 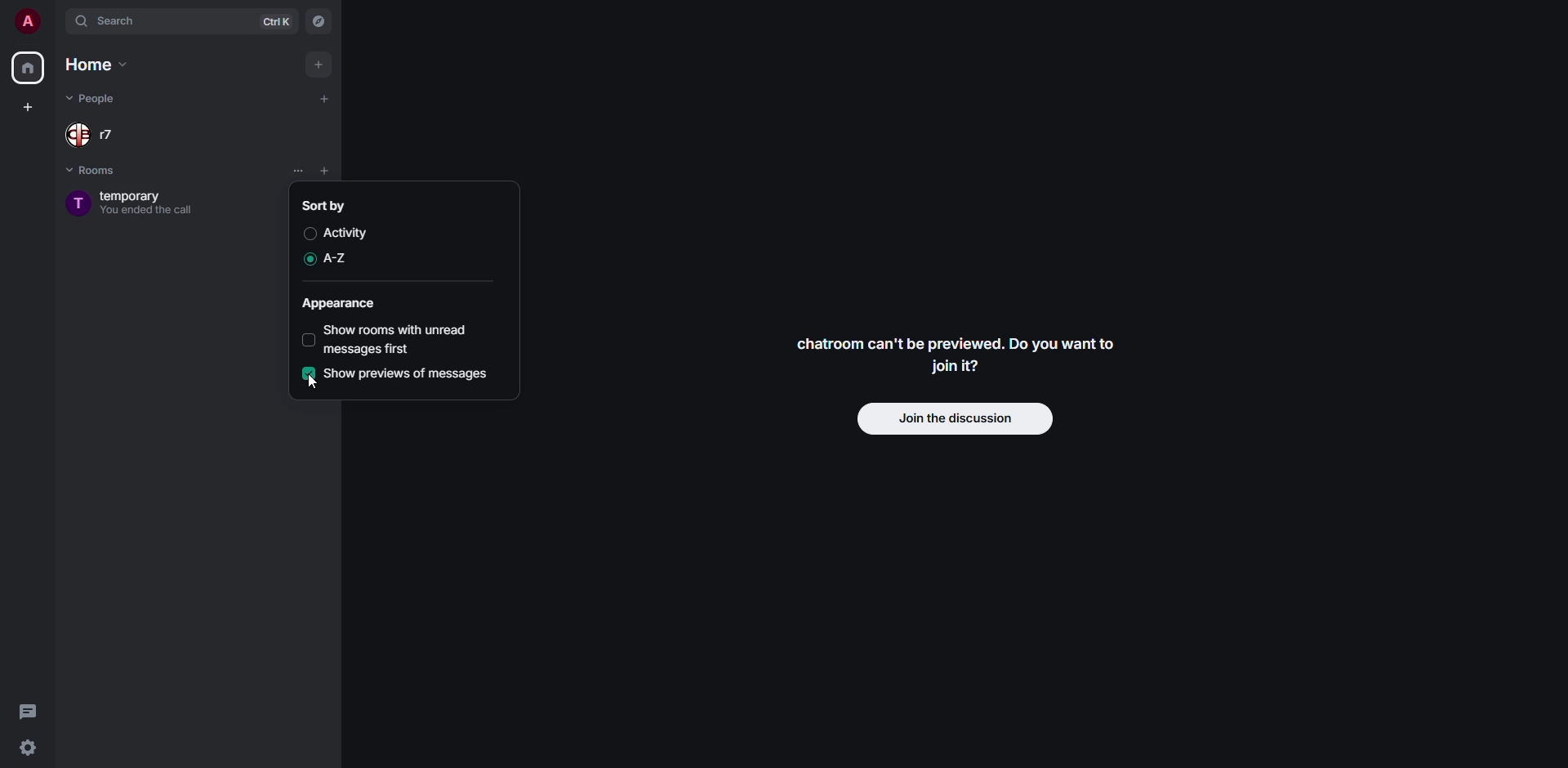 What do you see at coordinates (408, 375) in the screenshot?
I see `show previews of messages` at bounding box center [408, 375].